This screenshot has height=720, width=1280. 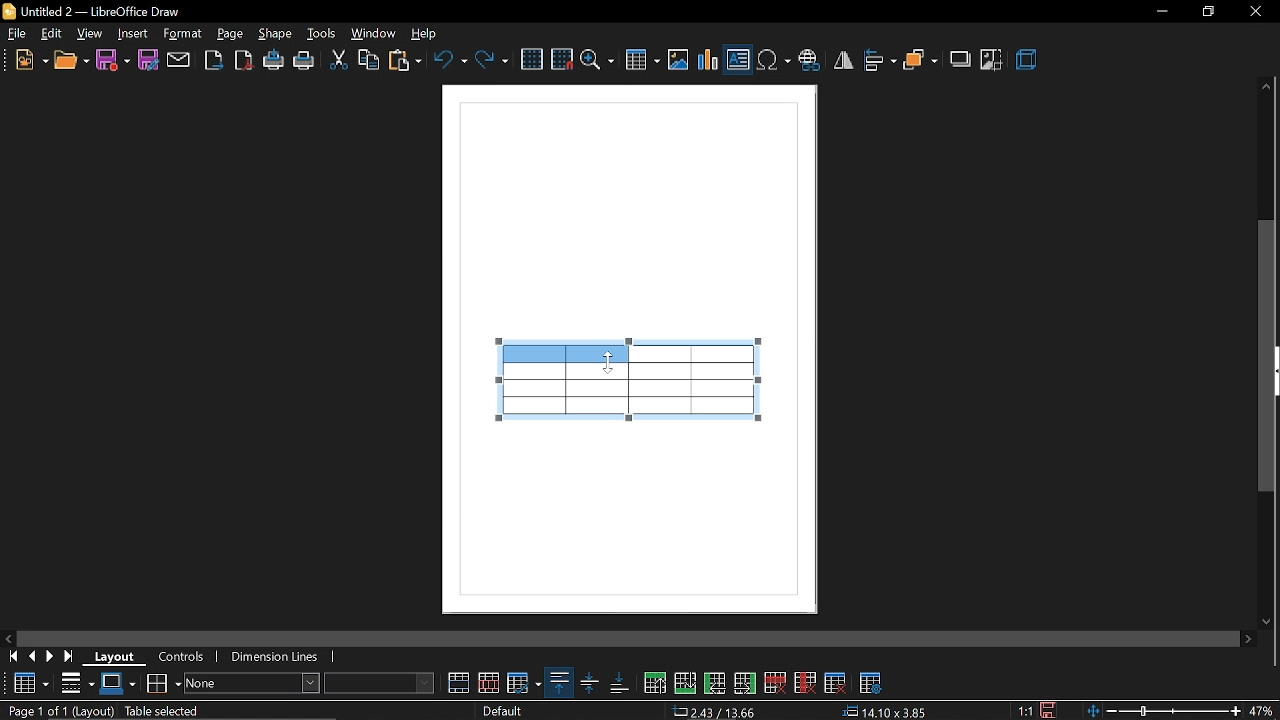 What do you see at coordinates (886, 713) in the screenshot?
I see `14.10x3.85` at bounding box center [886, 713].